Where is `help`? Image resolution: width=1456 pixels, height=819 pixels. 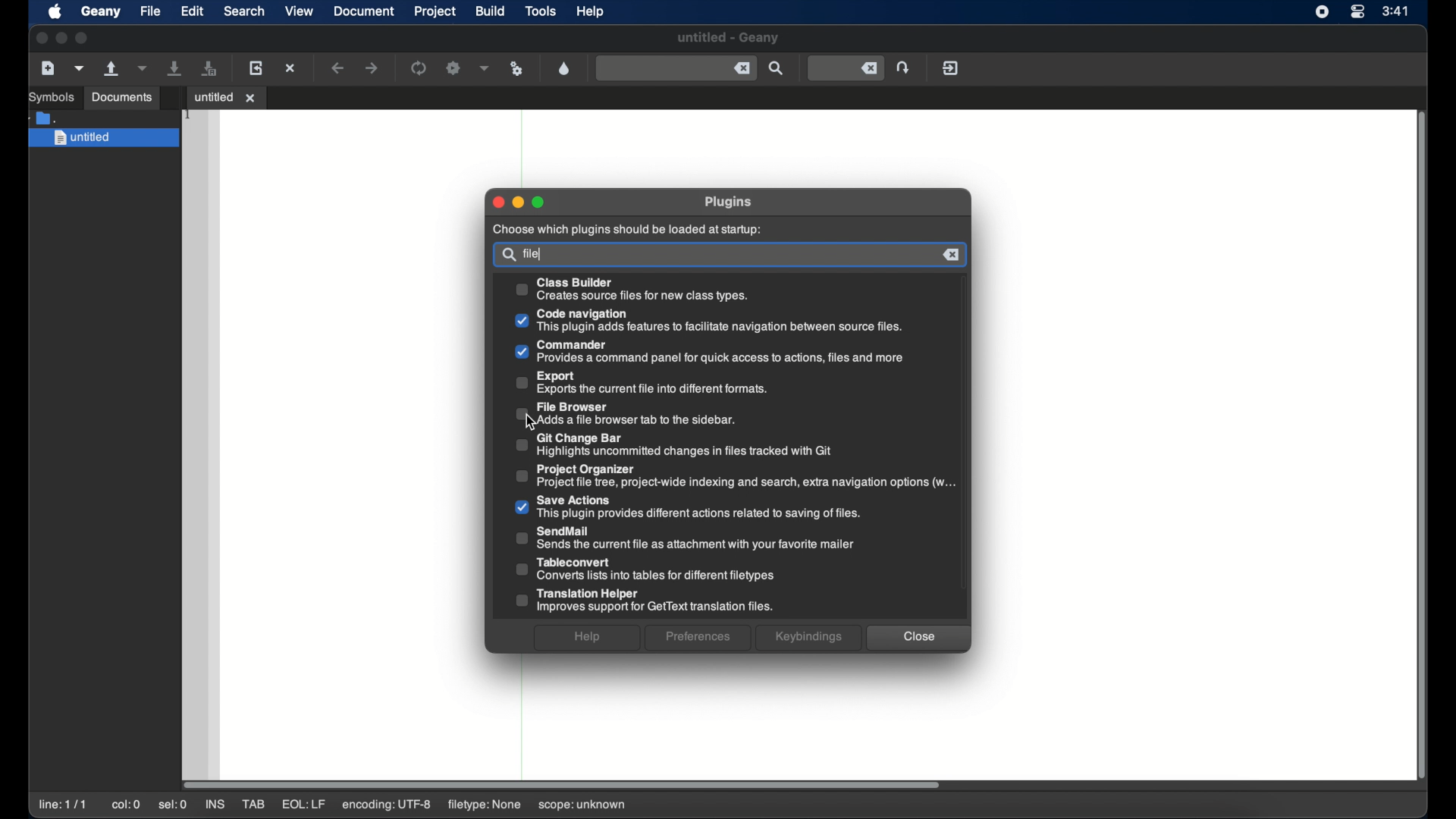 help is located at coordinates (591, 11).